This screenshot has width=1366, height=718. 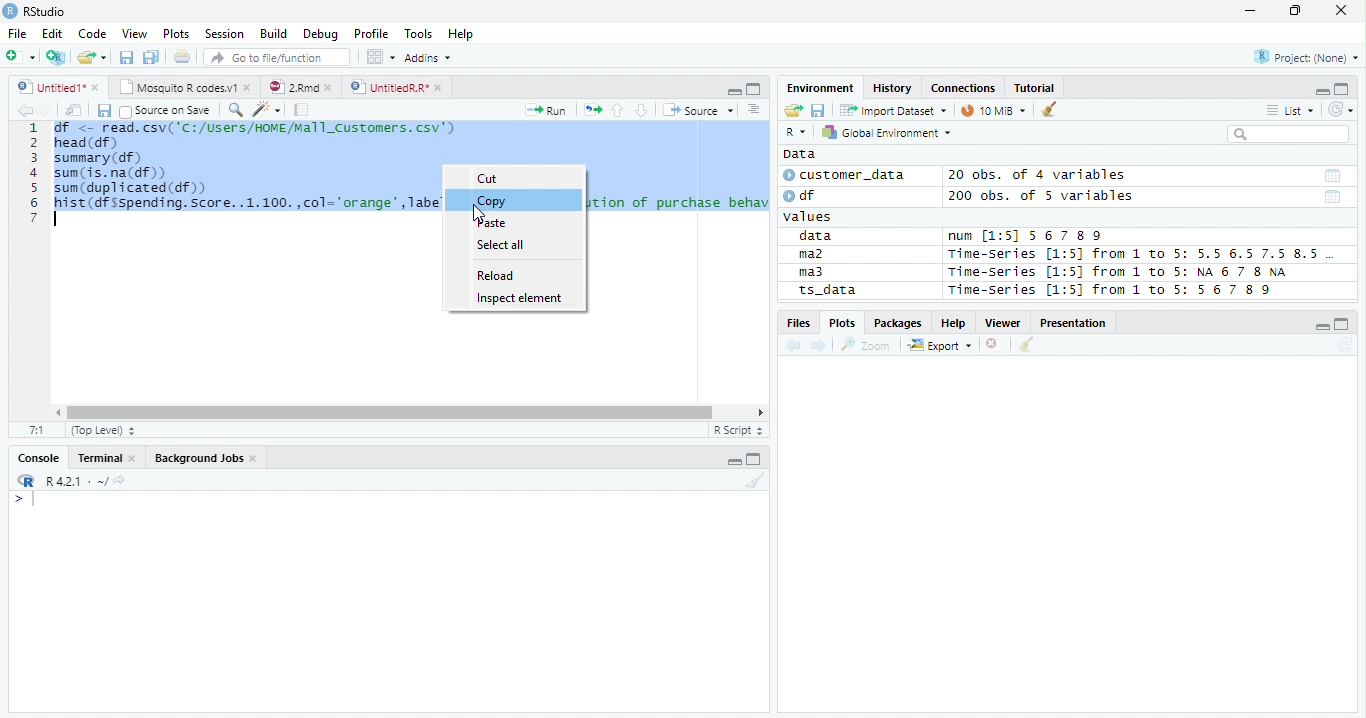 I want to click on Maximize, so click(x=1344, y=324).